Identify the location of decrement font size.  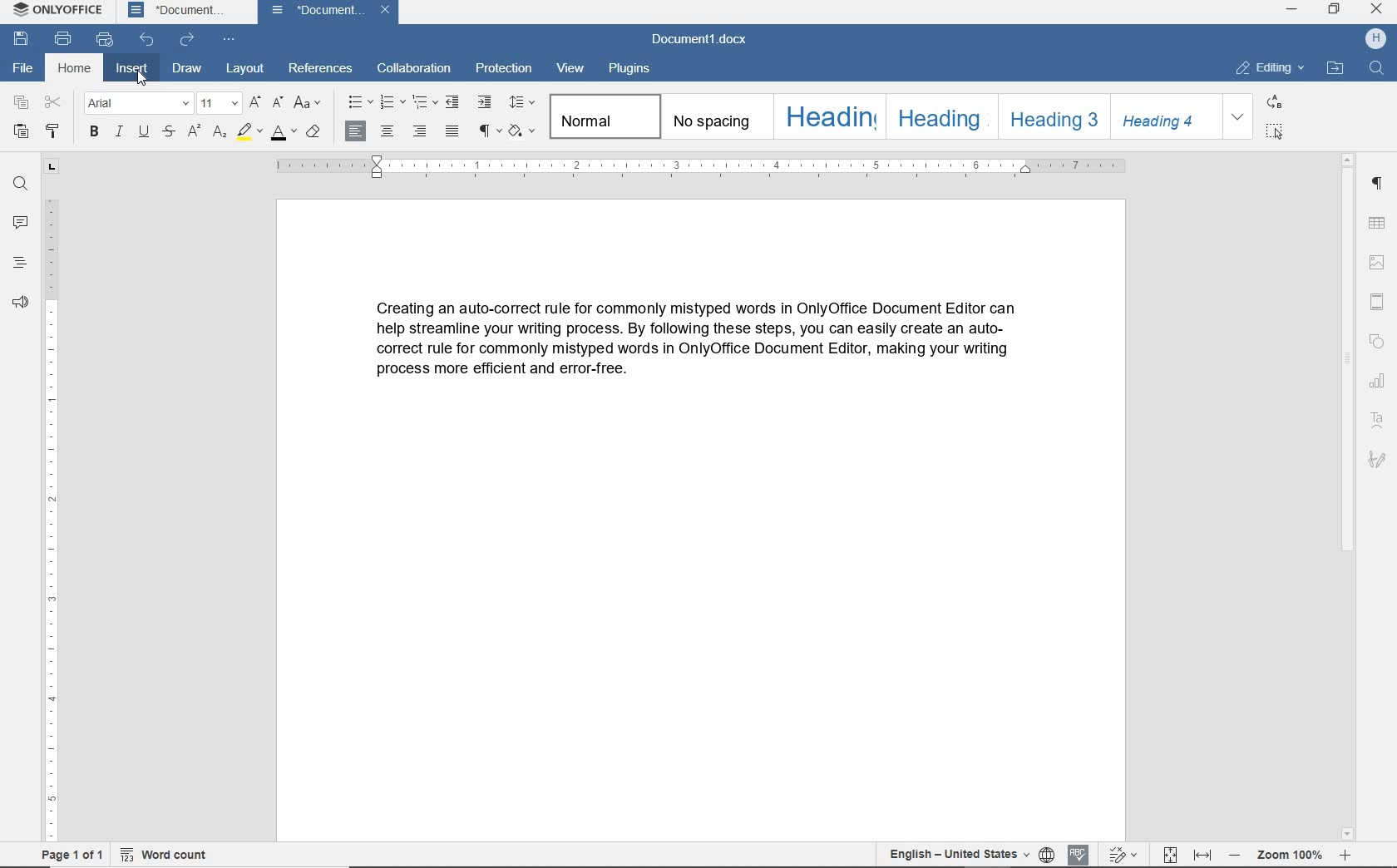
(277, 103).